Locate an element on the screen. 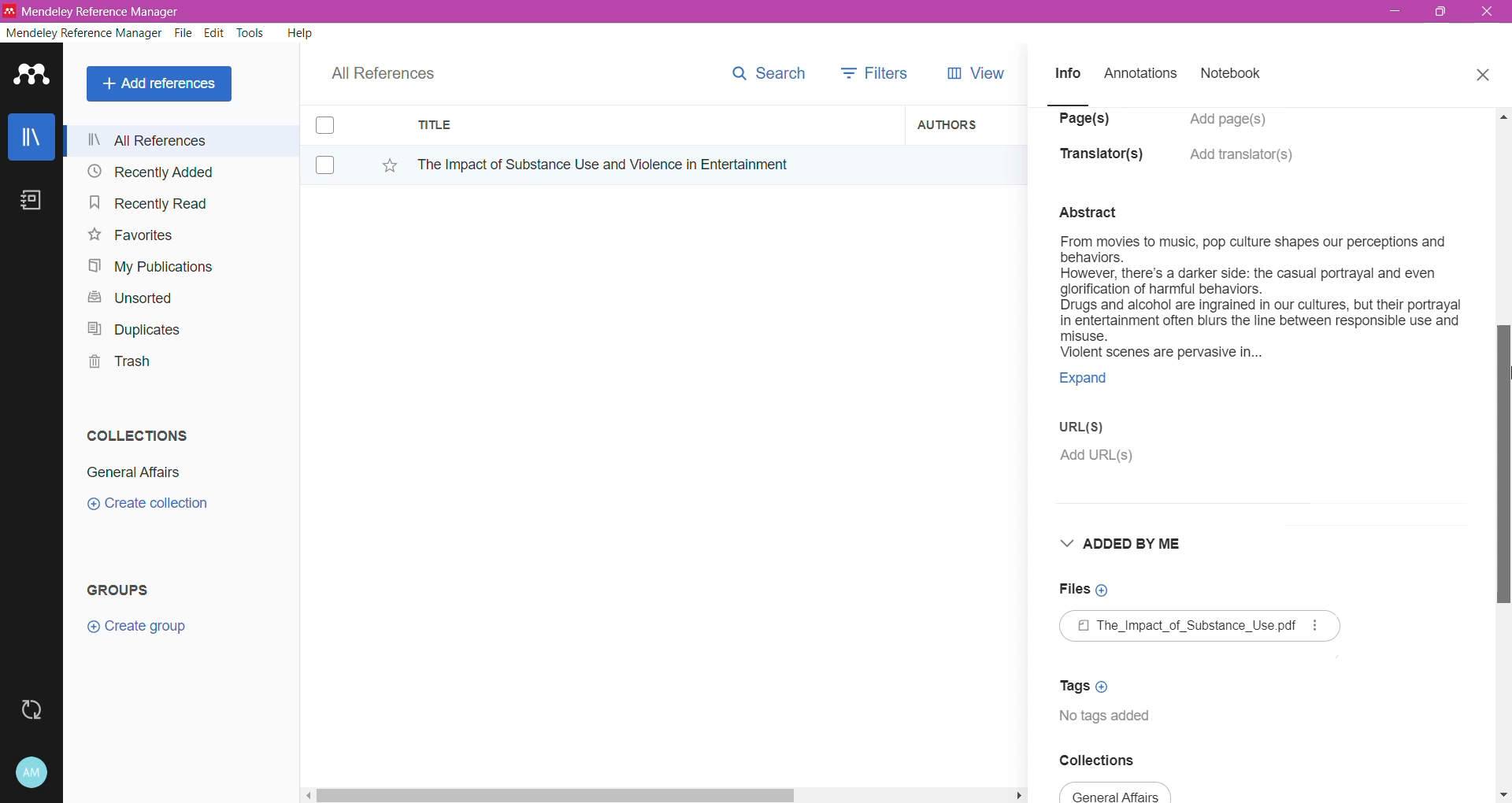 This screenshot has height=803, width=1512. Last Sync is located at coordinates (38, 708).